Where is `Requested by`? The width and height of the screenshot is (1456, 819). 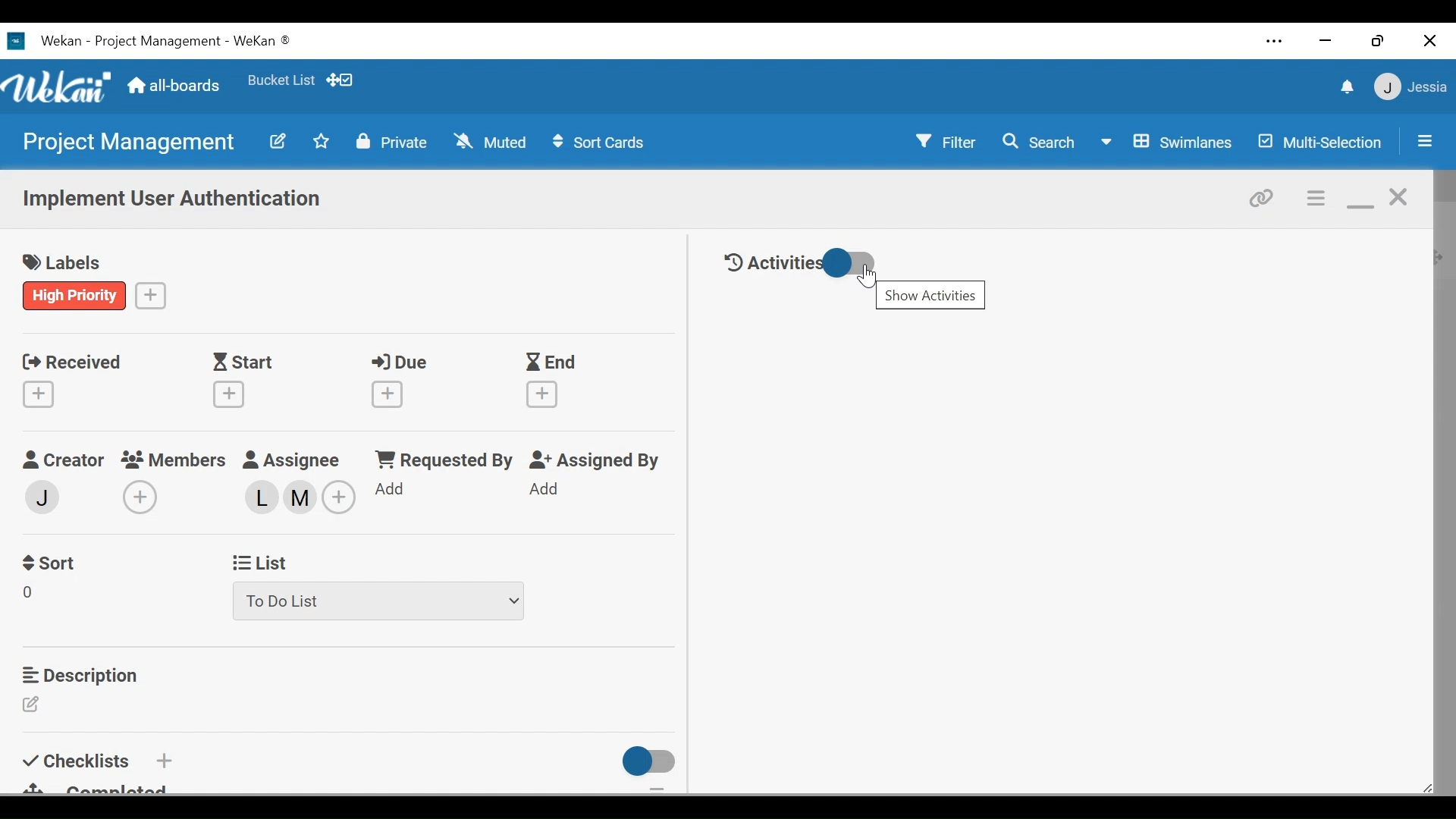 Requested by is located at coordinates (447, 460).